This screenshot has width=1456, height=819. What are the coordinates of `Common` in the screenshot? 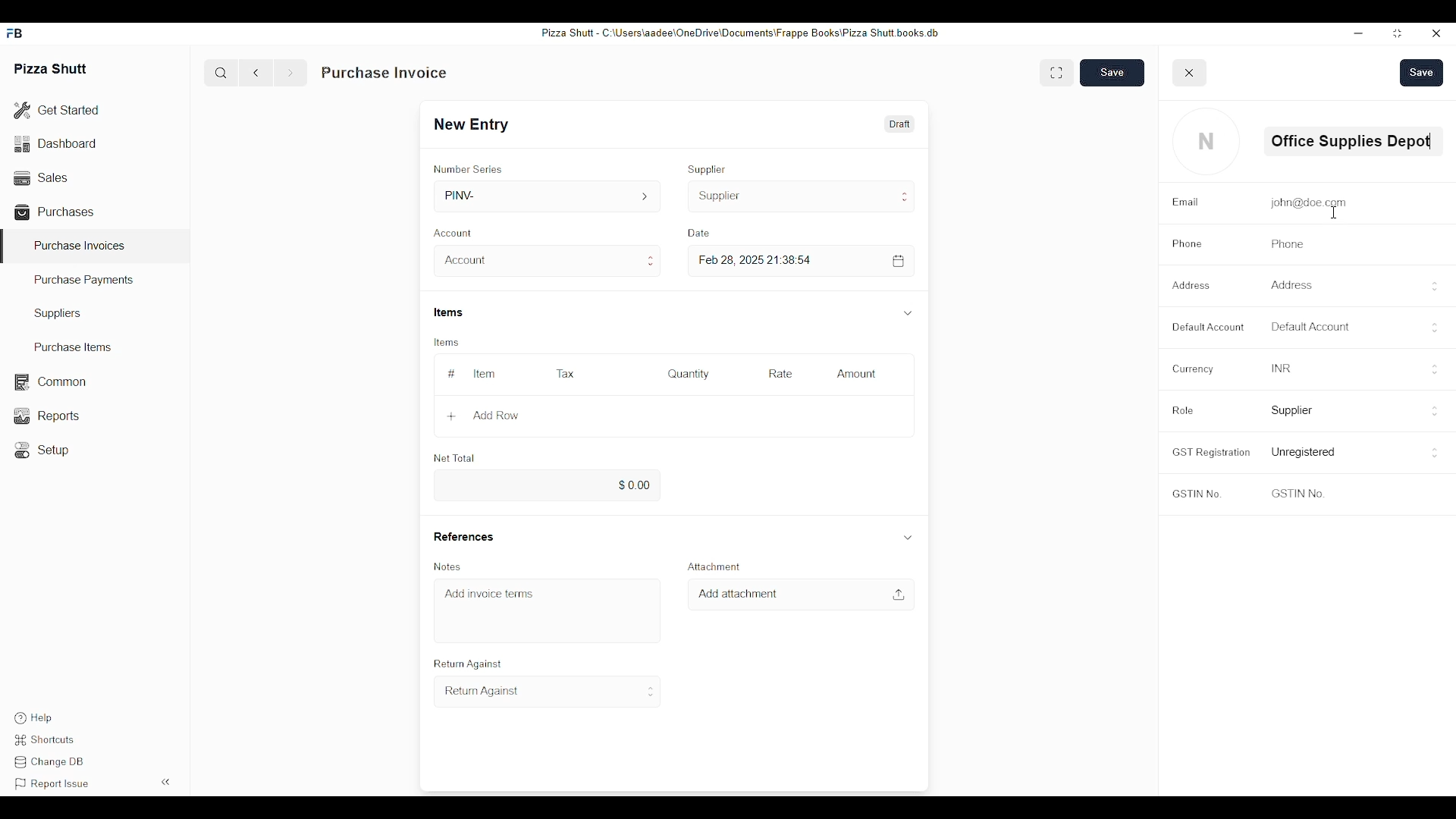 It's located at (49, 382).